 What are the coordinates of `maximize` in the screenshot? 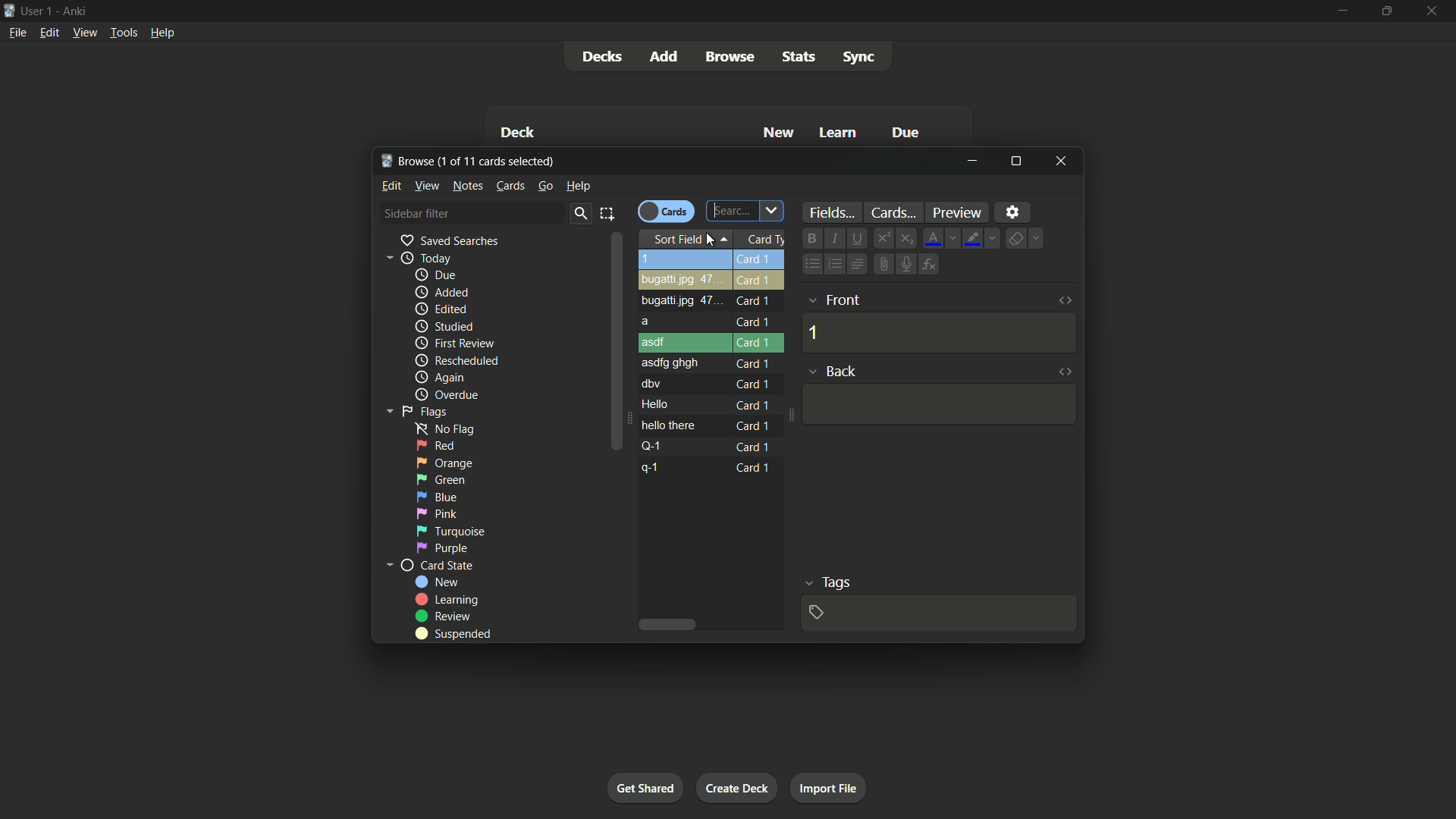 It's located at (1385, 11).